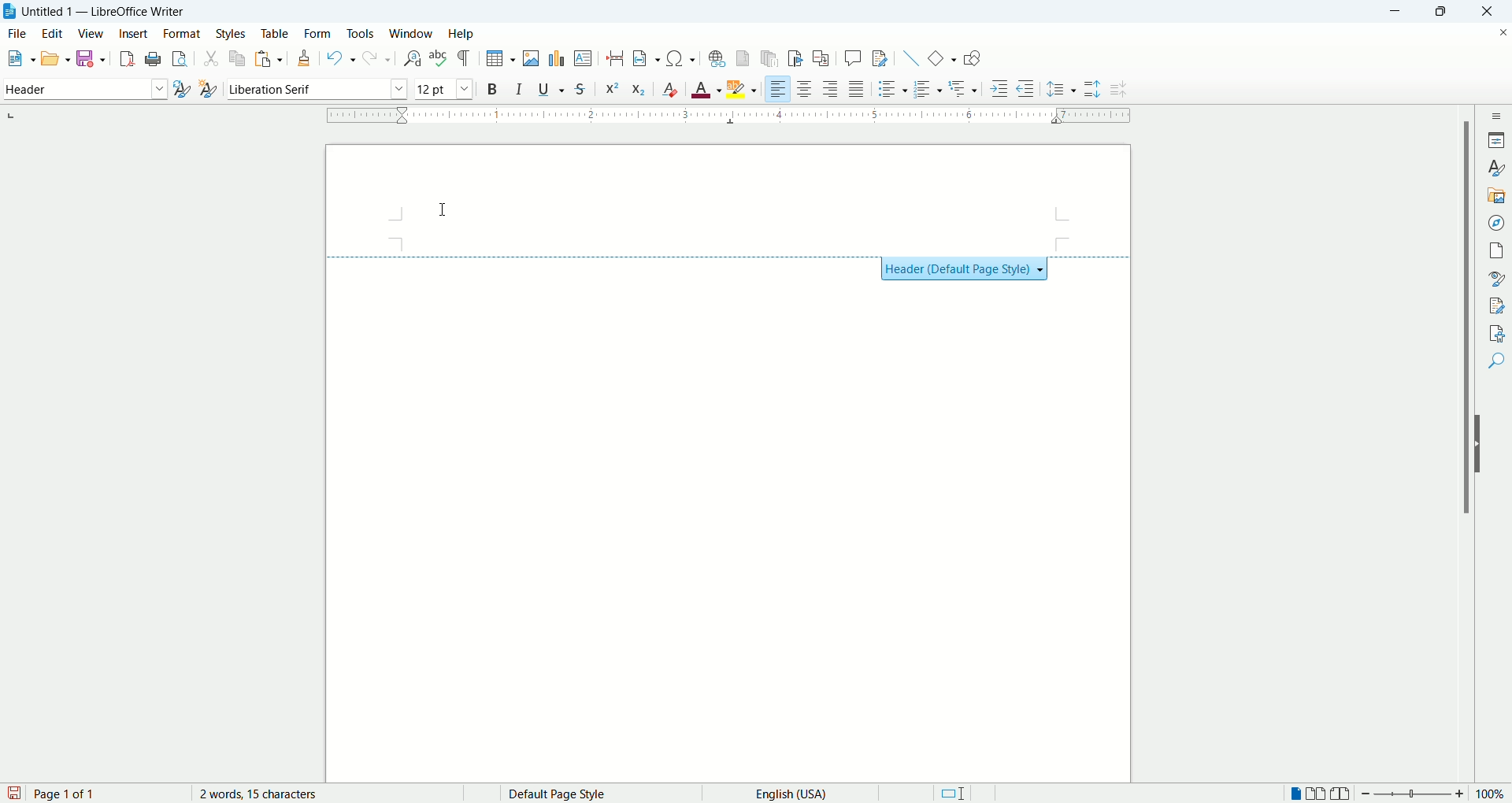 The image size is (1512, 803). I want to click on decrease paragraph spacing, so click(1121, 89).